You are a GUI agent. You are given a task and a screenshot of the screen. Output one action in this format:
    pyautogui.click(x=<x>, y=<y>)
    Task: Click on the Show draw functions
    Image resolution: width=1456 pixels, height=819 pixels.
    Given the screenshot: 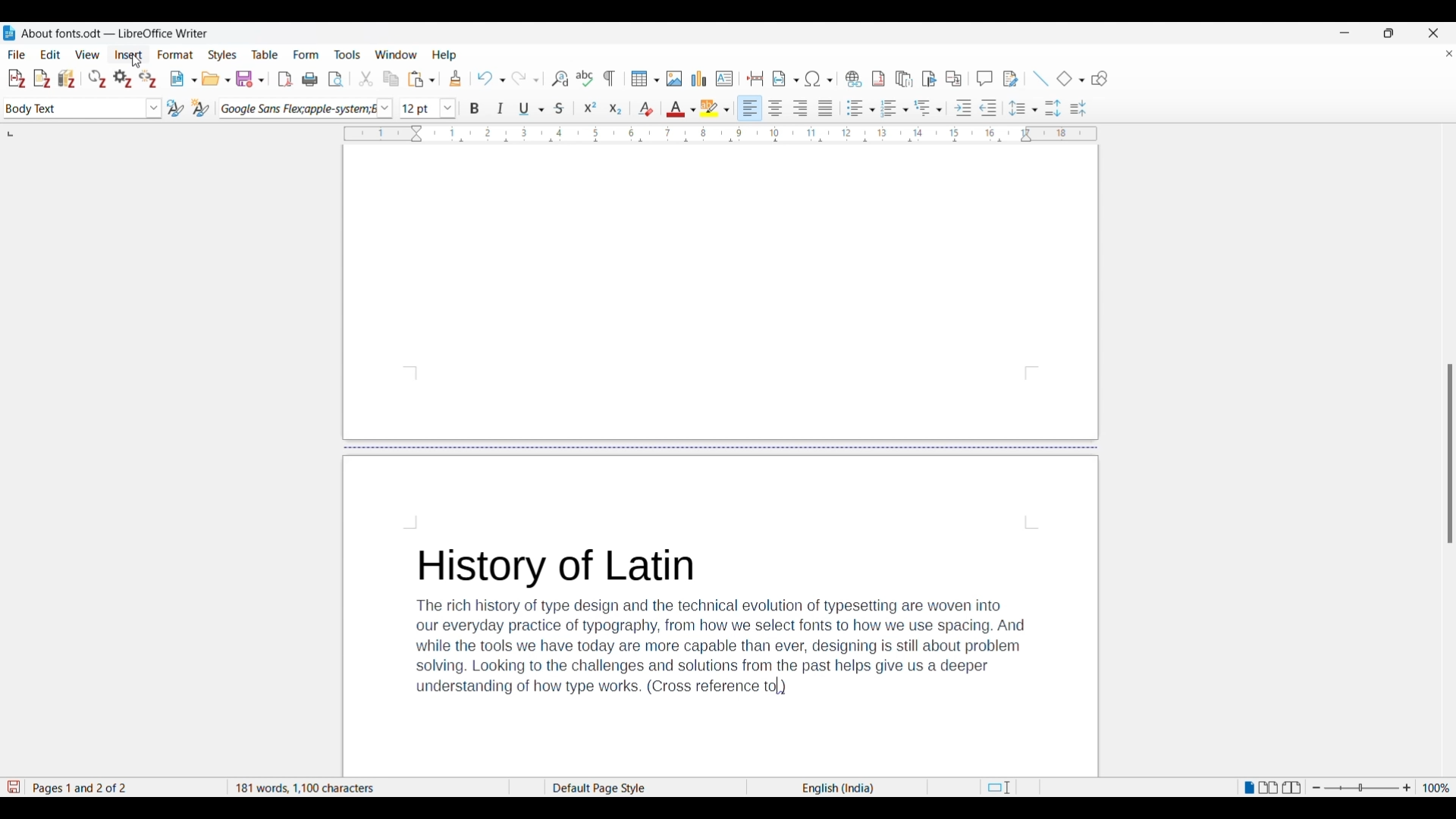 What is the action you would take?
    pyautogui.click(x=1100, y=79)
    